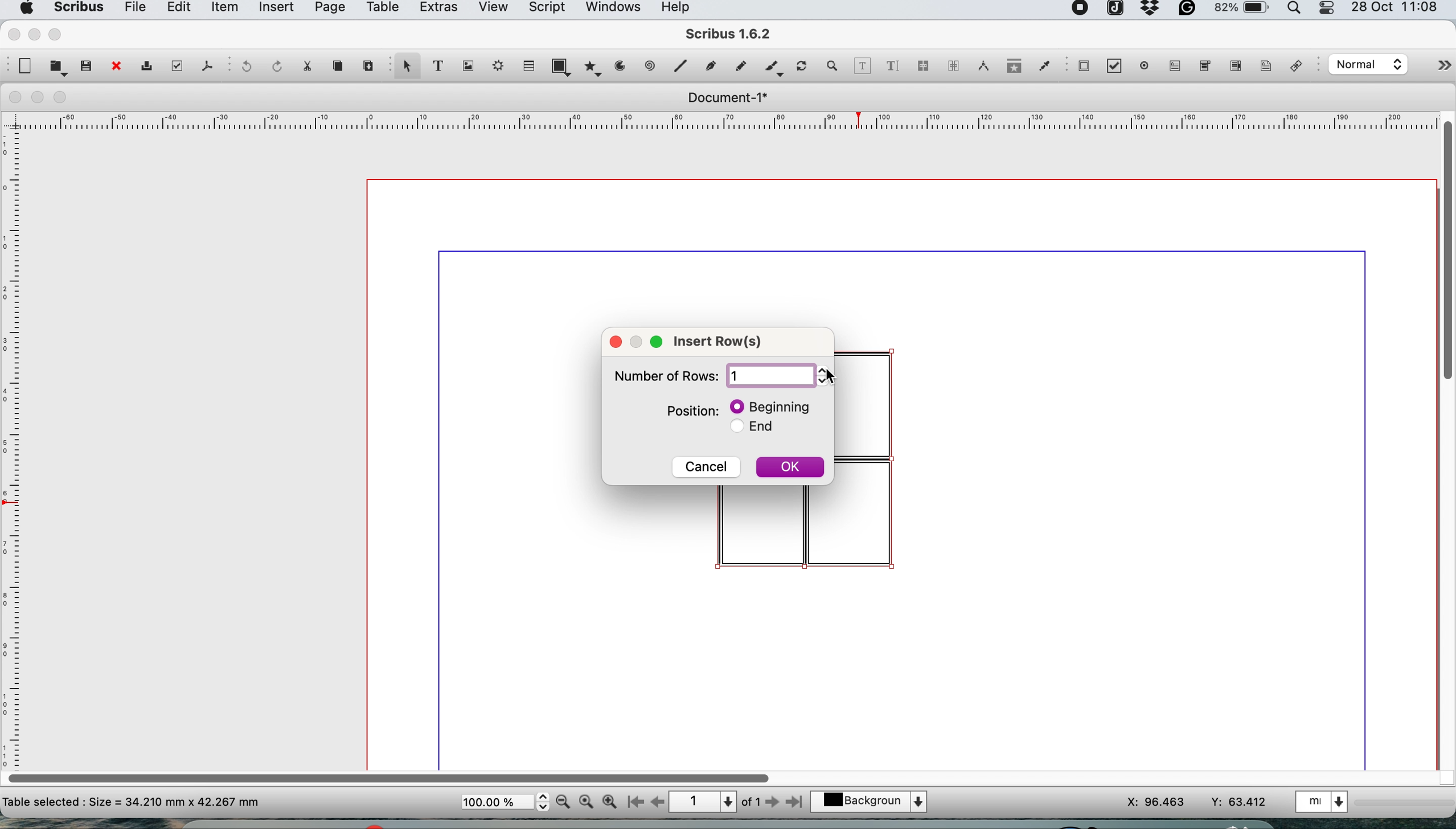  Describe the element at coordinates (1264, 65) in the screenshot. I see `text annotation` at that location.